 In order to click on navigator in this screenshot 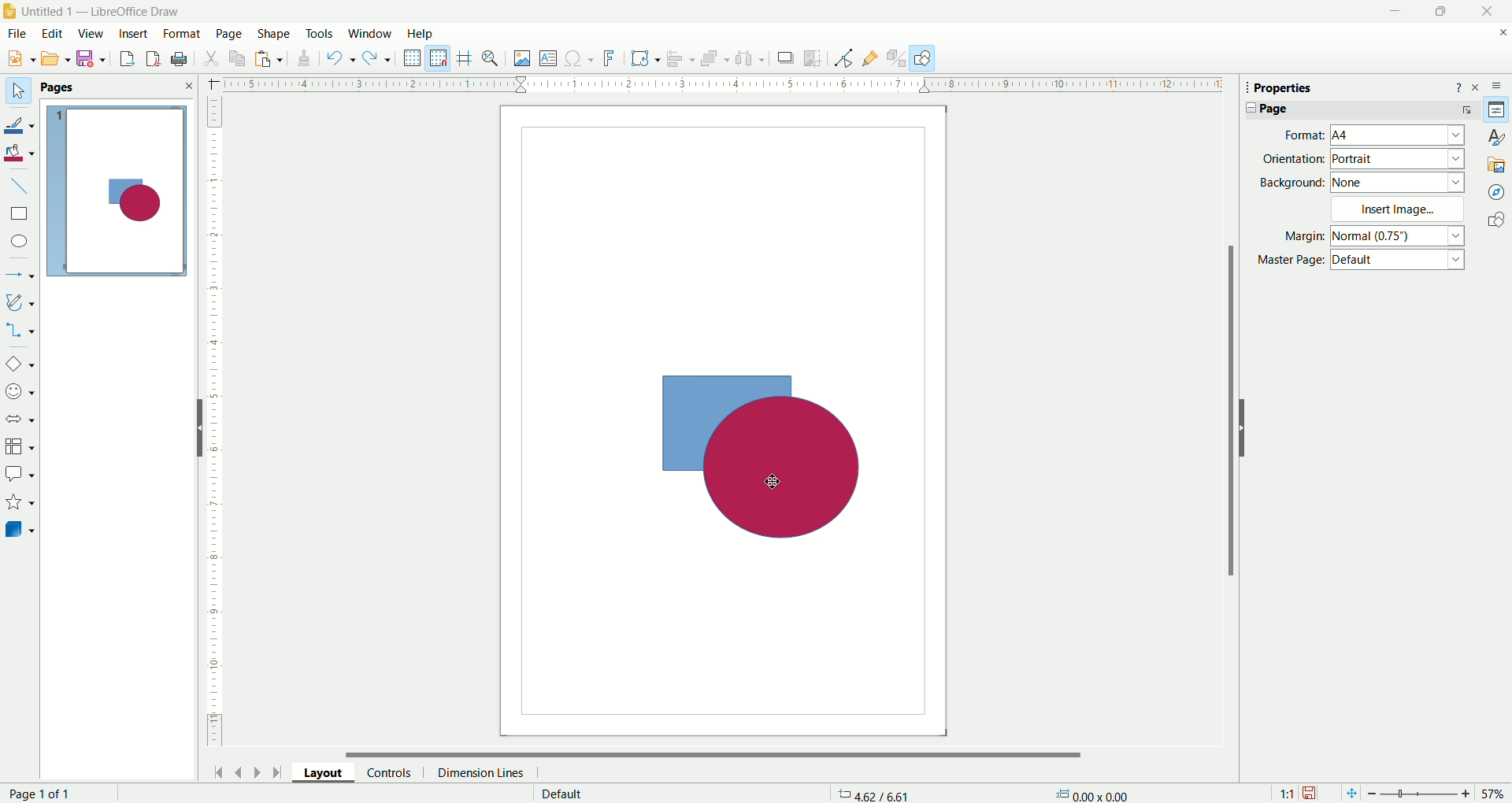, I will do `click(1497, 191)`.